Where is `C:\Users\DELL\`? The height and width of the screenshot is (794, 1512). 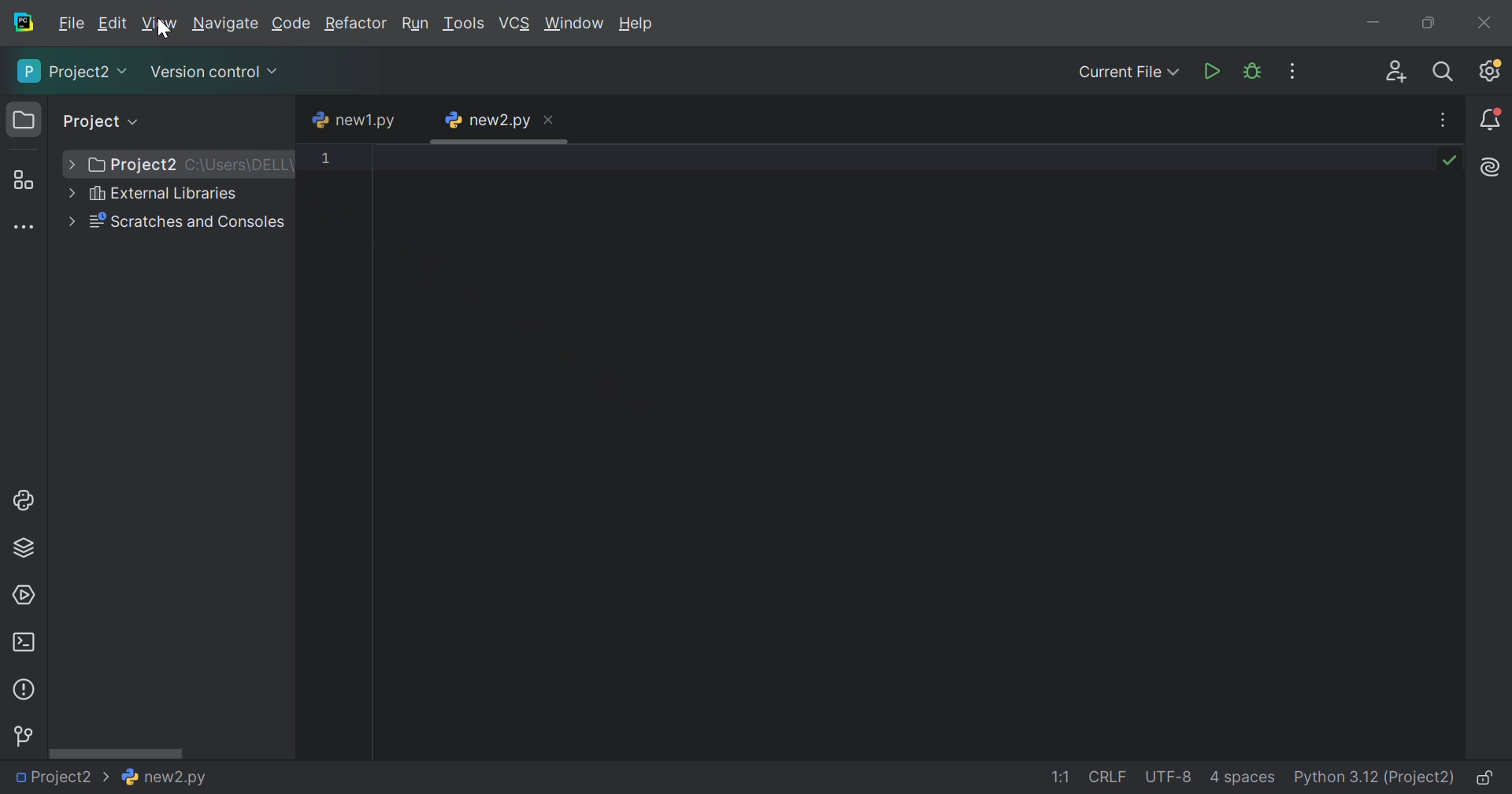
C:\Users\DELL\ is located at coordinates (240, 164).